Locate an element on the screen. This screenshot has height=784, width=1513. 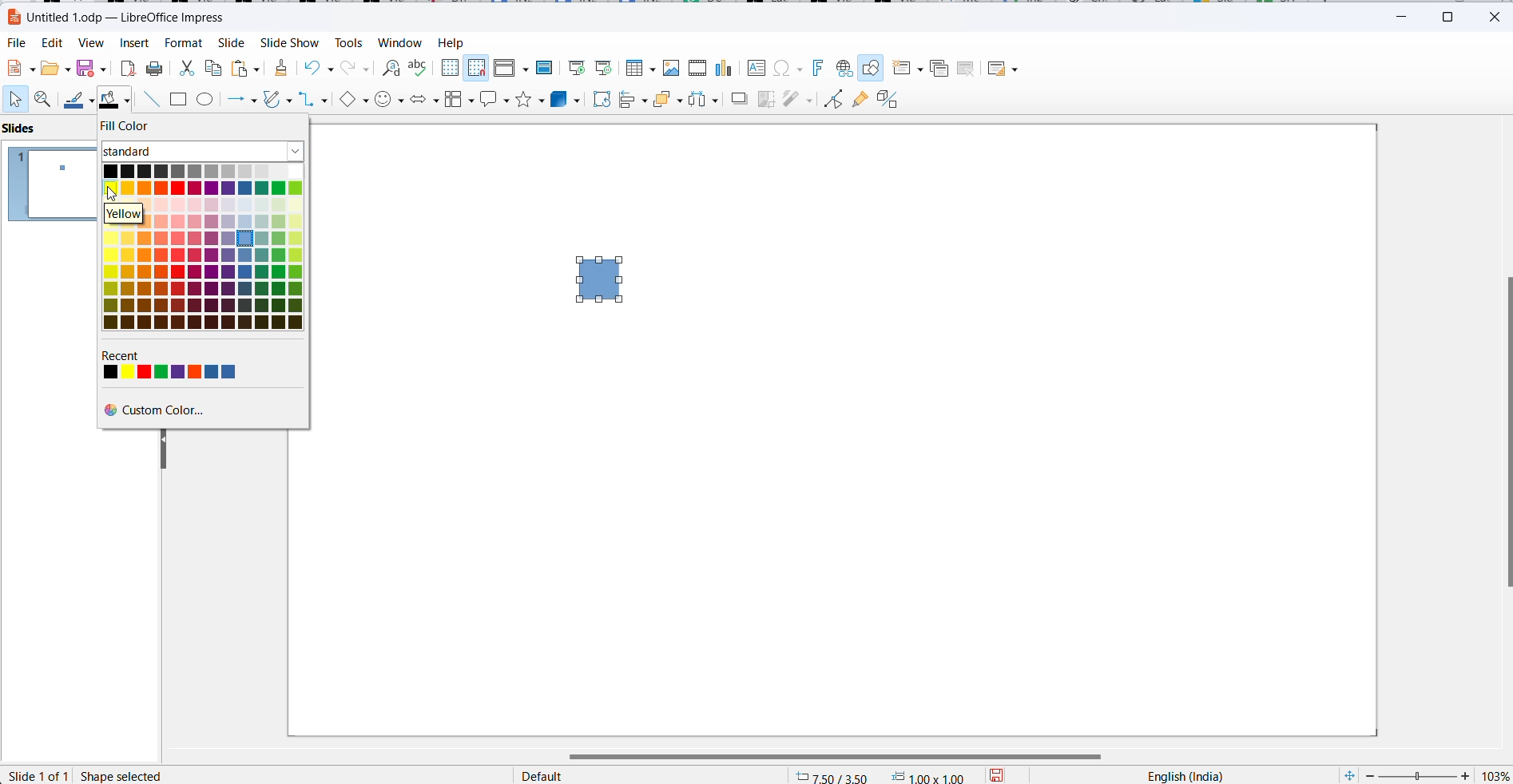
fill color type is located at coordinates (202, 152).